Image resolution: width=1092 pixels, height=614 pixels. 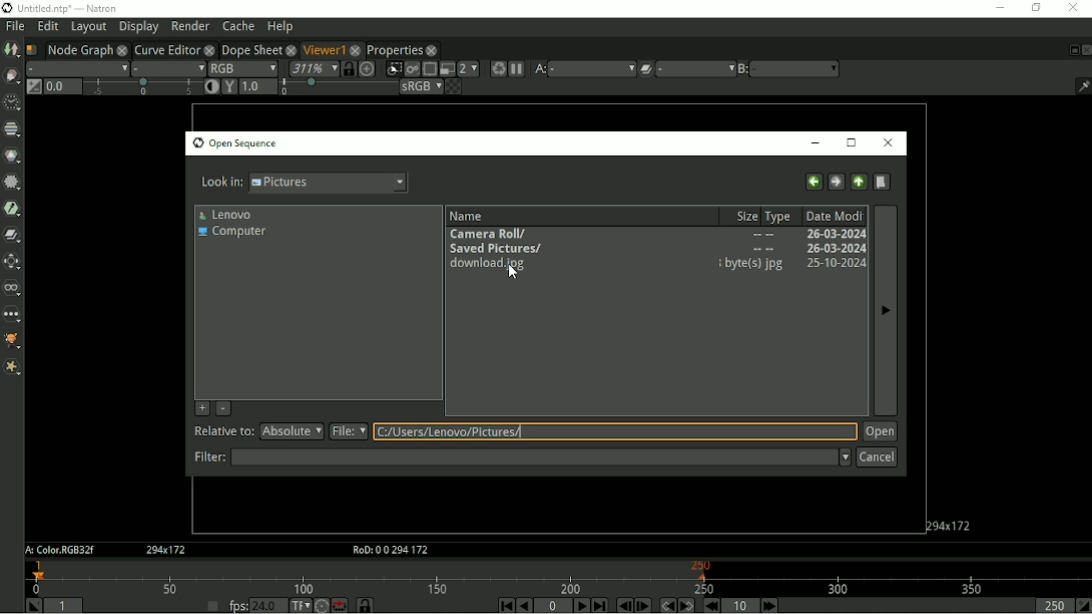 I want to click on absolute, so click(x=291, y=431).